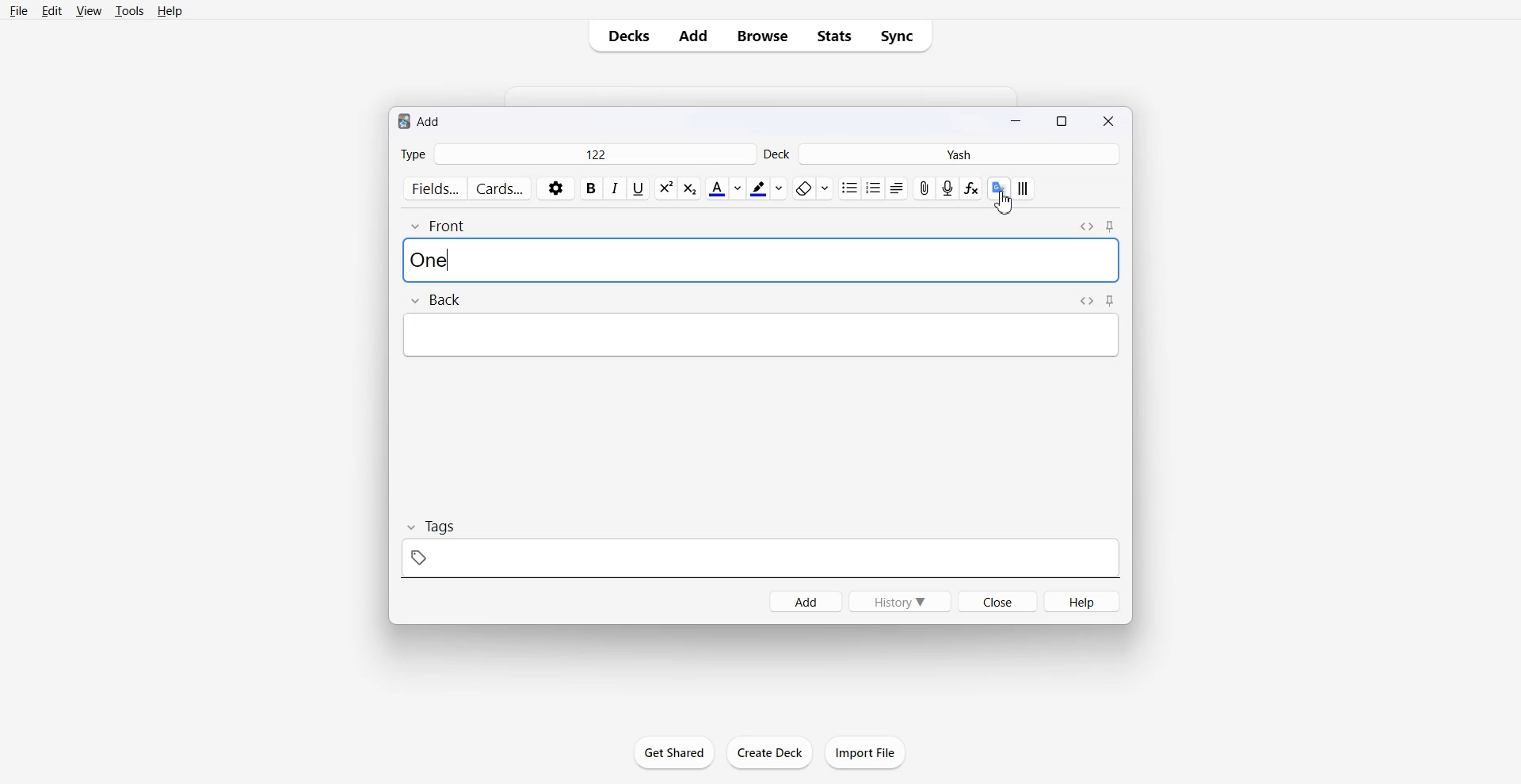 This screenshot has height=784, width=1521. What do you see at coordinates (413, 154) in the screenshot?
I see `Type` at bounding box center [413, 154].